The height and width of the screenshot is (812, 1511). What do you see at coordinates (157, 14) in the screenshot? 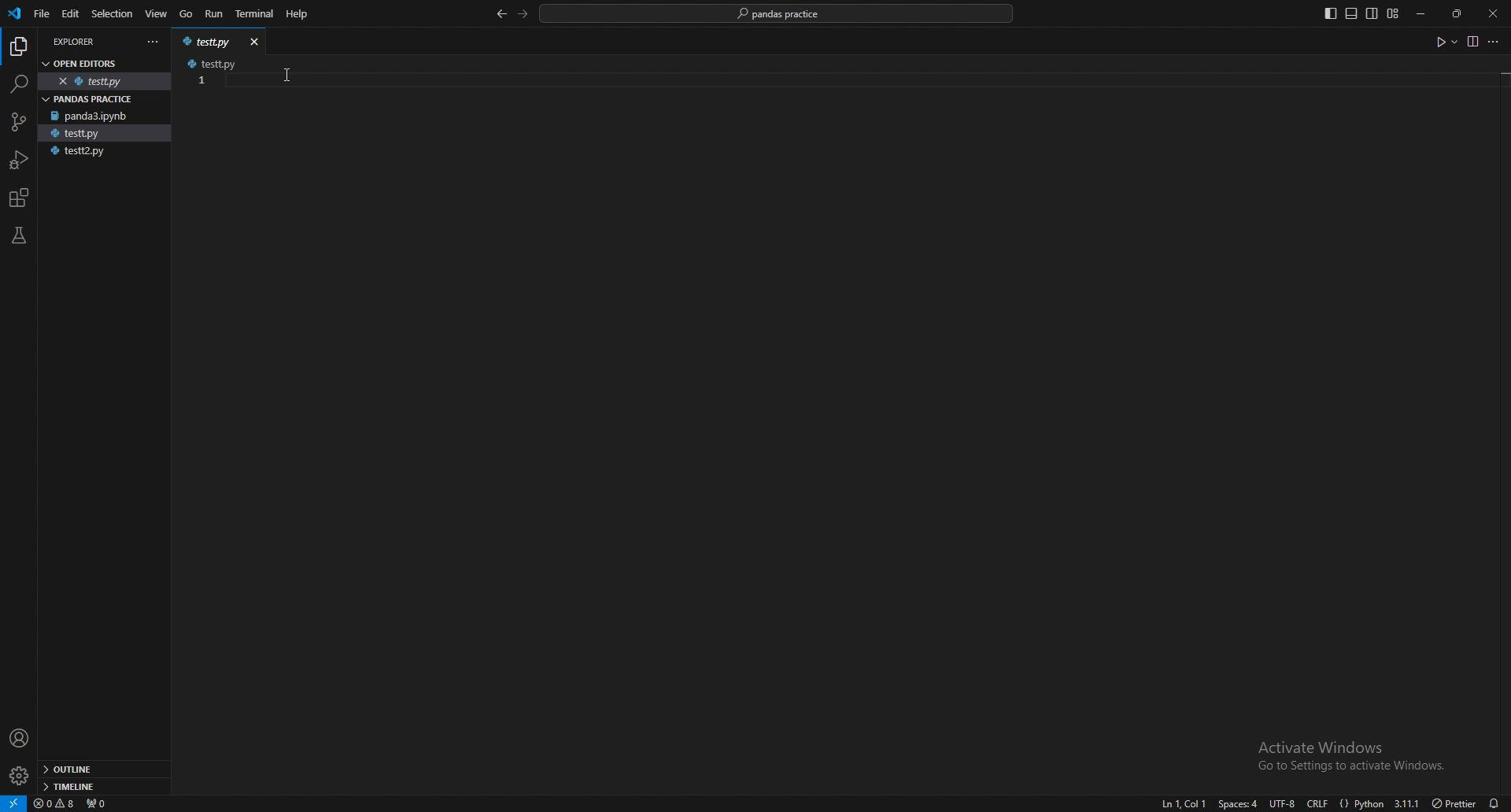
I see `view` at bounding box center [157, 14].